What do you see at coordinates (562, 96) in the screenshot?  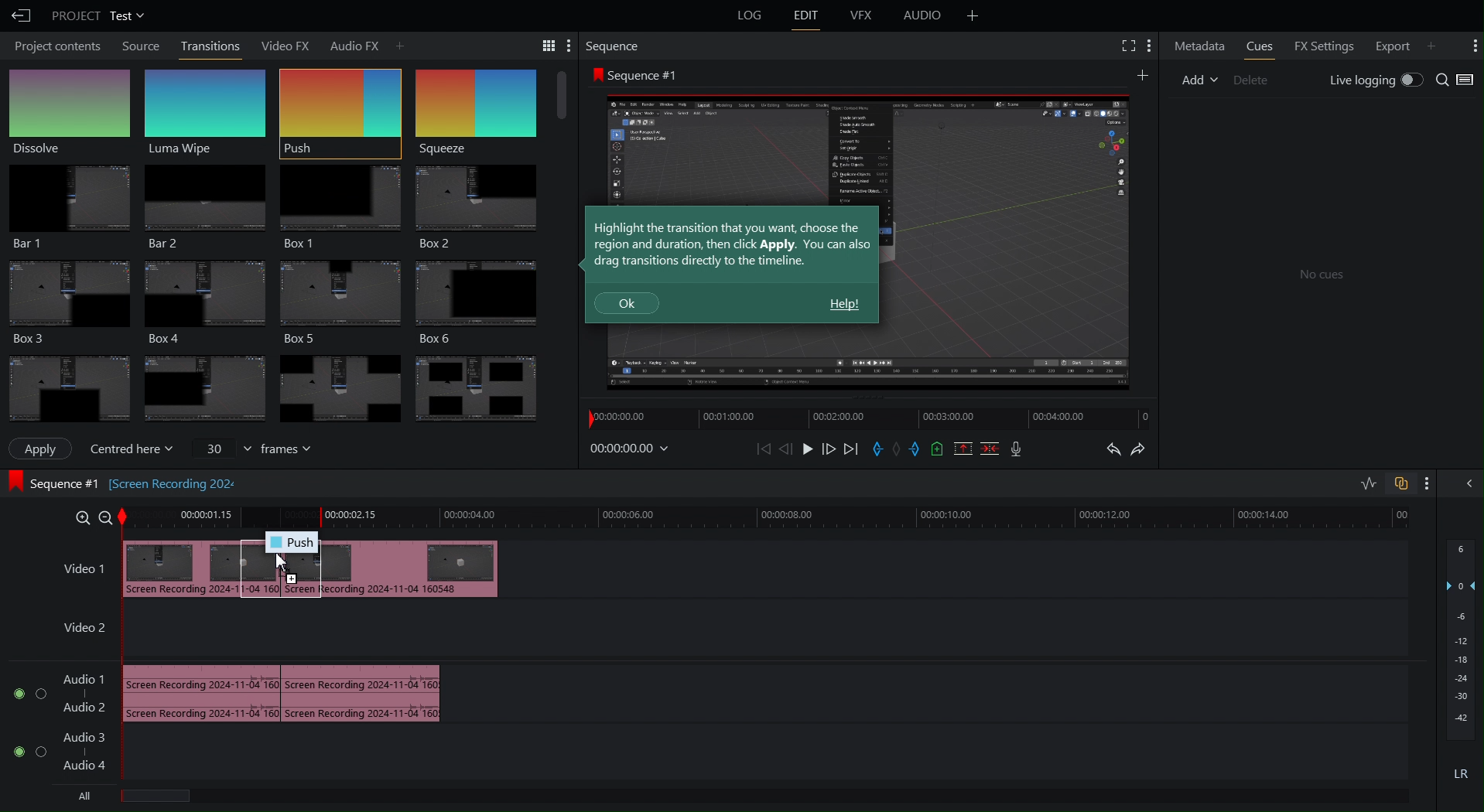 I see `Scroll bar` at bounding box center [562, 96].